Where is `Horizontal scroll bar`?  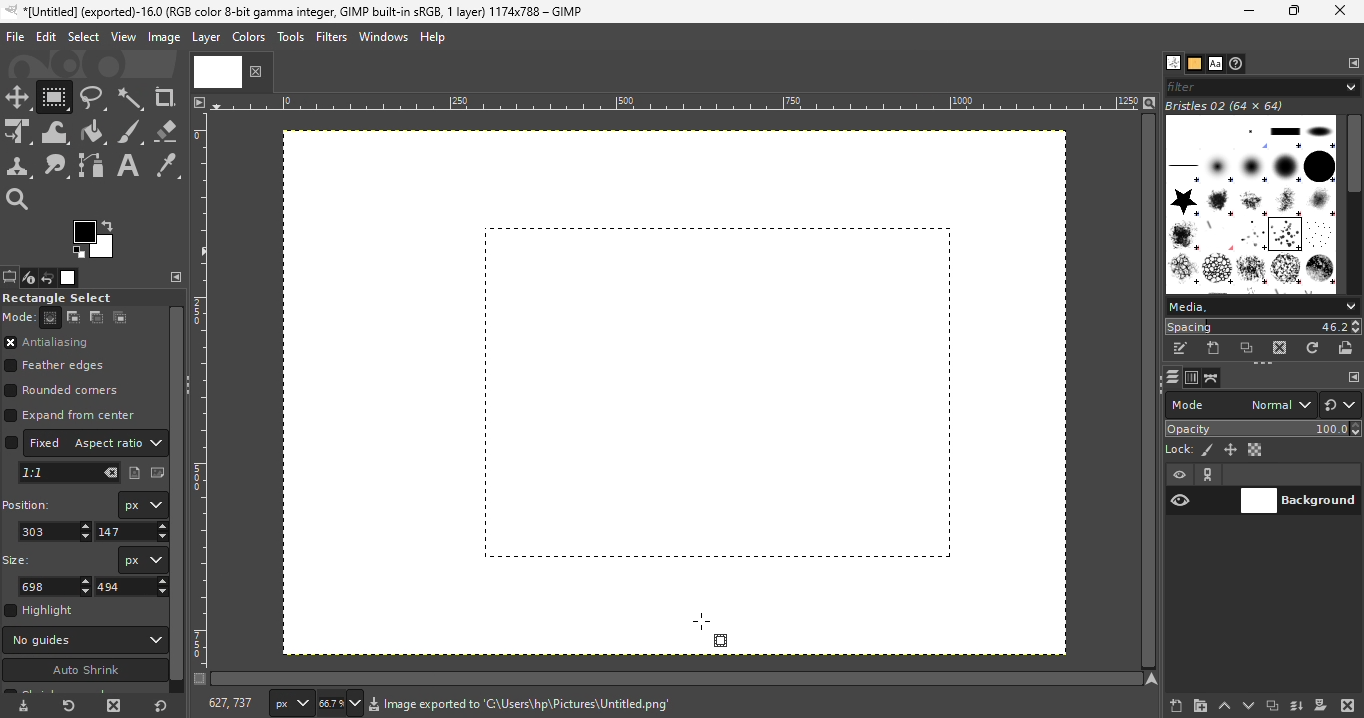
Horizontal scroll bar is located at coordinates (1355, 205).